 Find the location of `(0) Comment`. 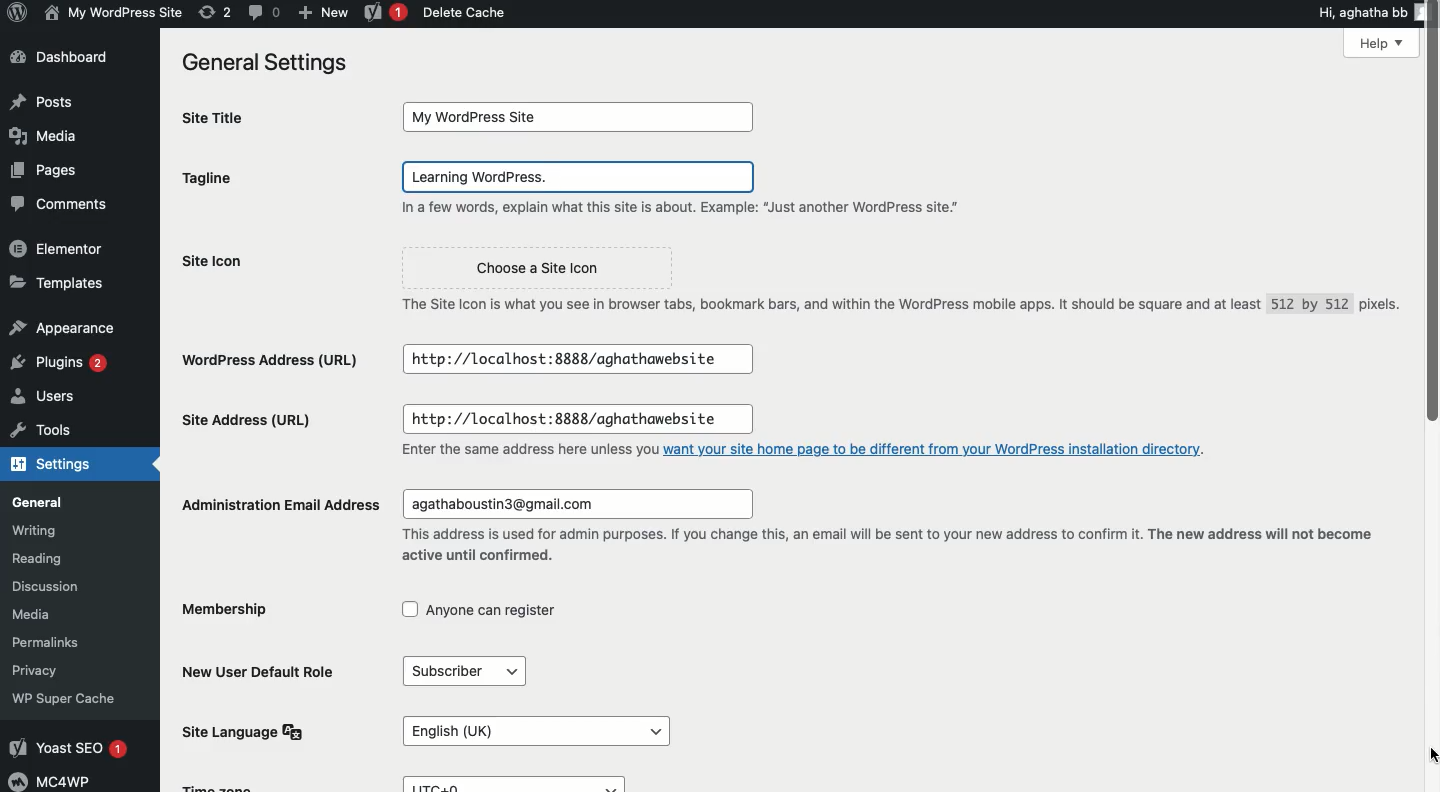

(0) Comment is located at coordinates (263, 12).